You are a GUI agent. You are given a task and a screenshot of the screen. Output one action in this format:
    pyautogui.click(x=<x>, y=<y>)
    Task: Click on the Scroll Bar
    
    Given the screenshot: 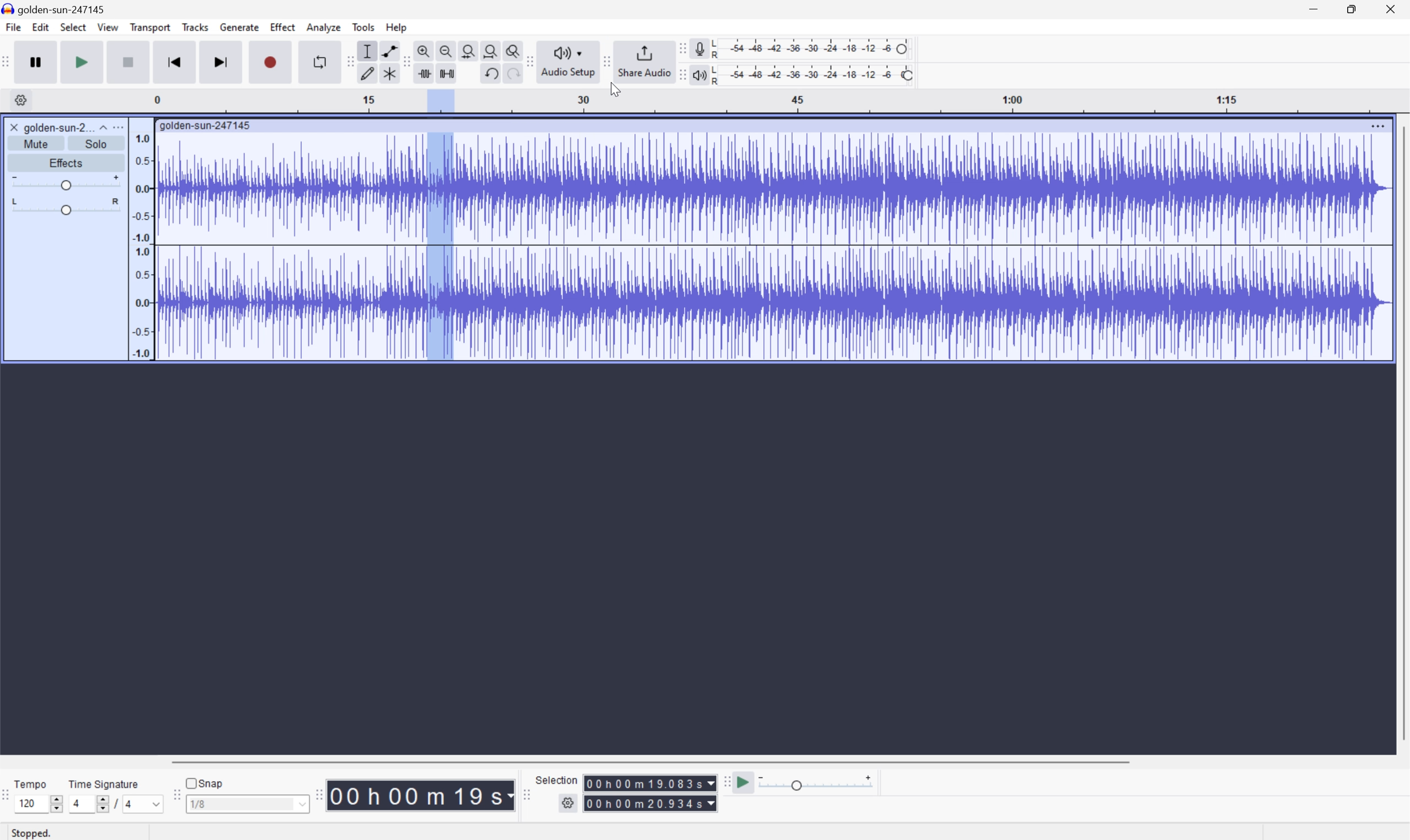 What is the action you would take?
    pyautogui.click(x=1401, y=434)
    